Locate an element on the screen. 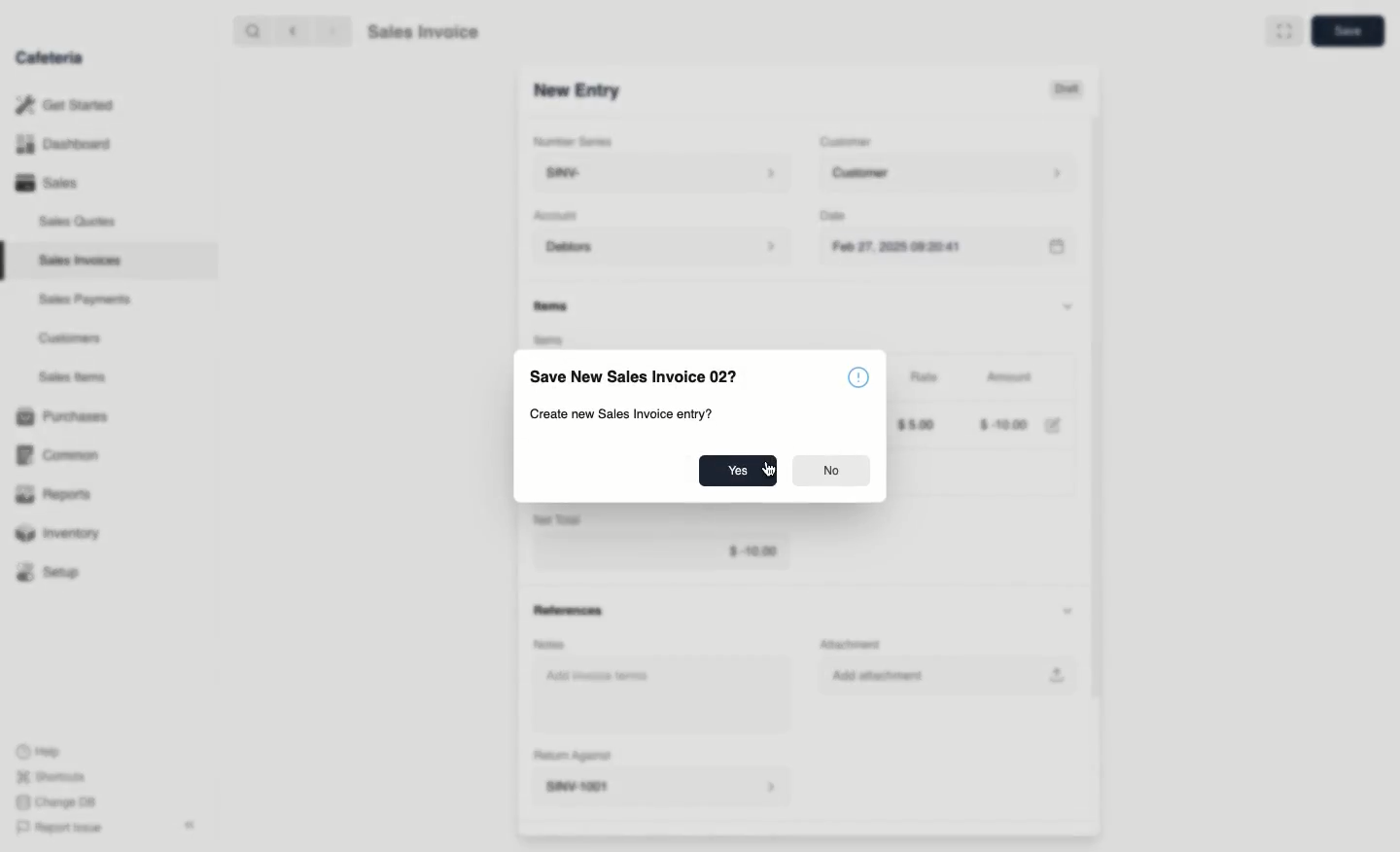  ‘Customer is located at coordinates (850, 142).